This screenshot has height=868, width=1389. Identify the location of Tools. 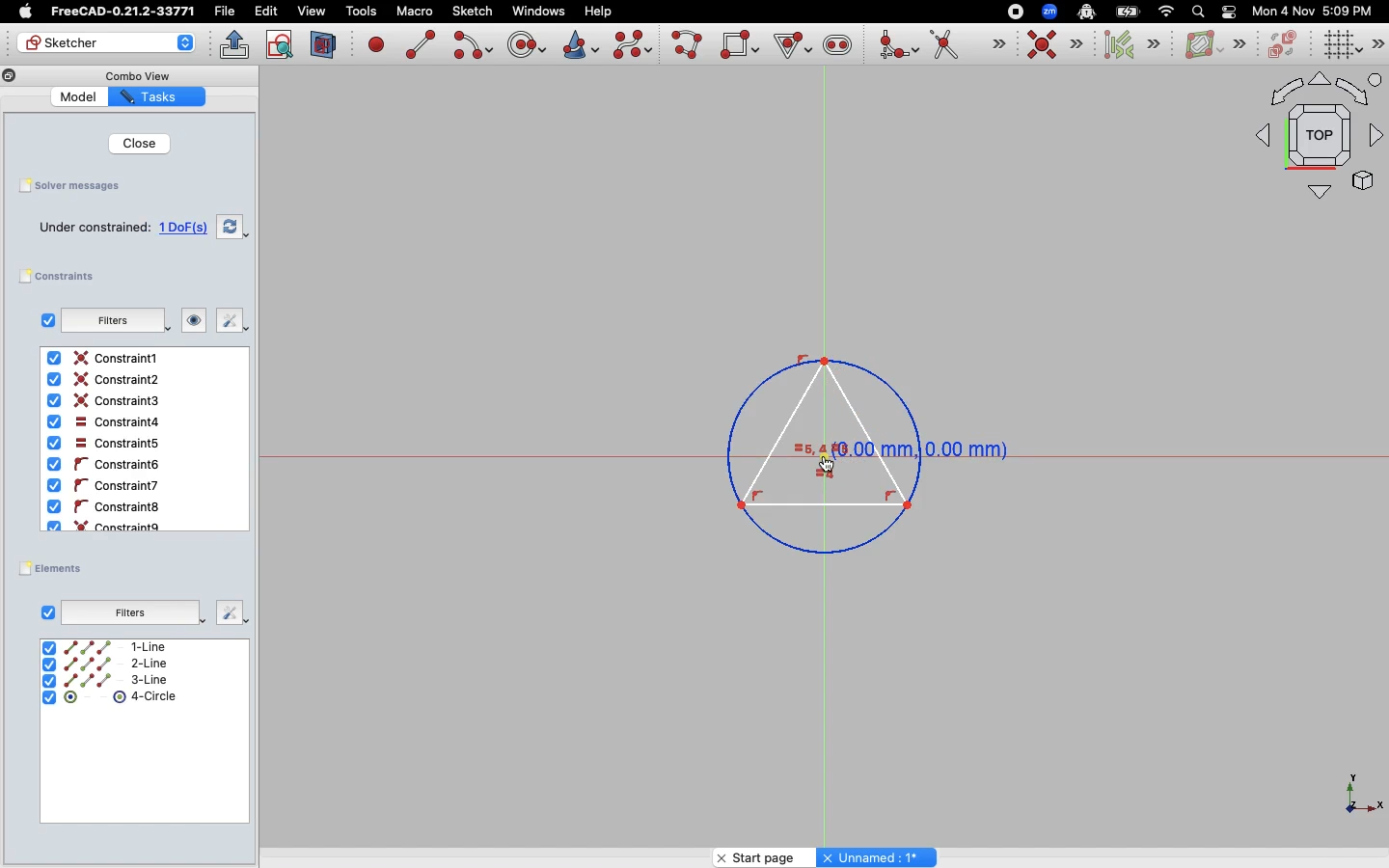
(361, 13).